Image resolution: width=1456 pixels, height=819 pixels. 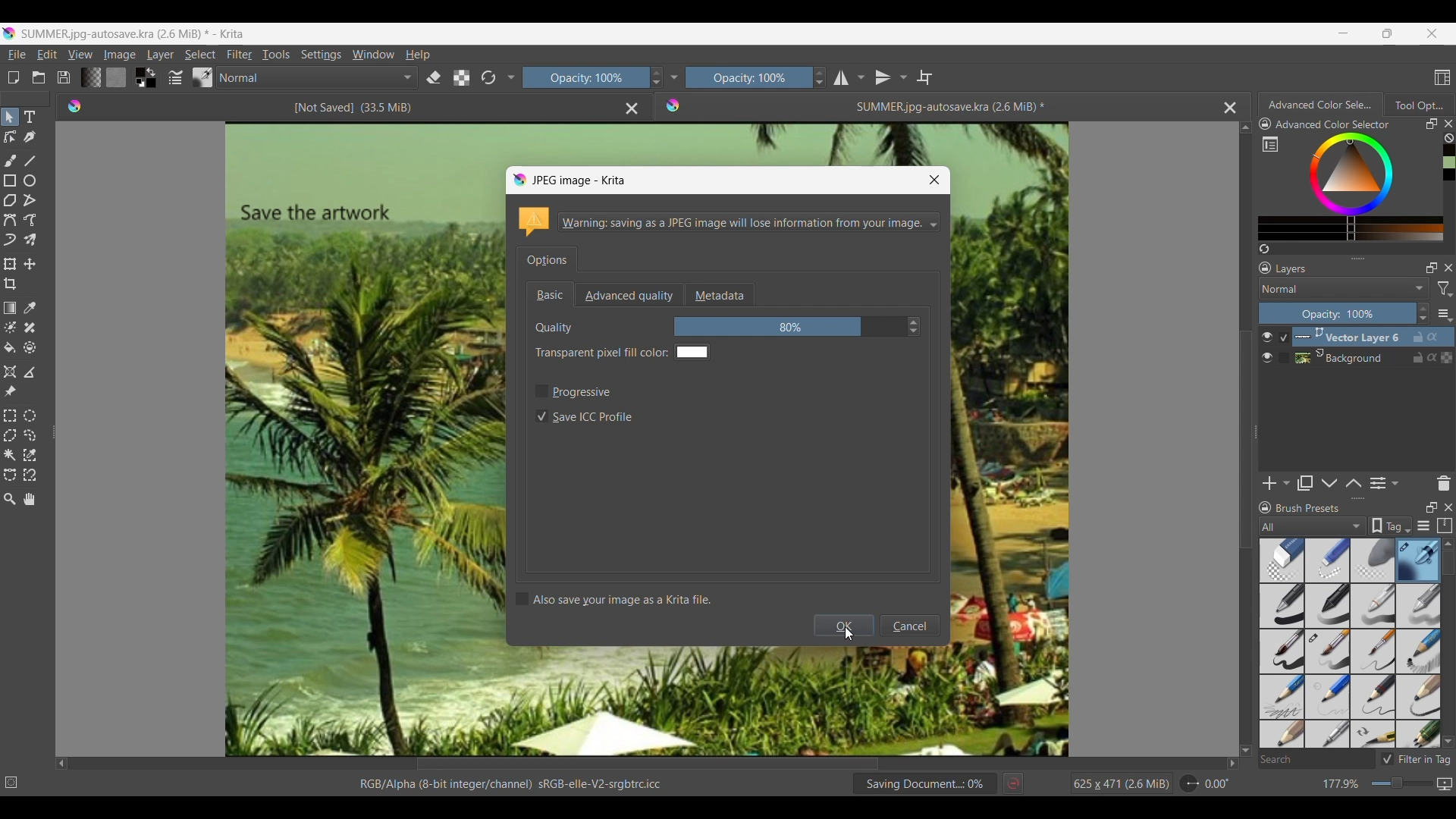 I want to click on Current rotation of image, so click(x=1217, y=784).